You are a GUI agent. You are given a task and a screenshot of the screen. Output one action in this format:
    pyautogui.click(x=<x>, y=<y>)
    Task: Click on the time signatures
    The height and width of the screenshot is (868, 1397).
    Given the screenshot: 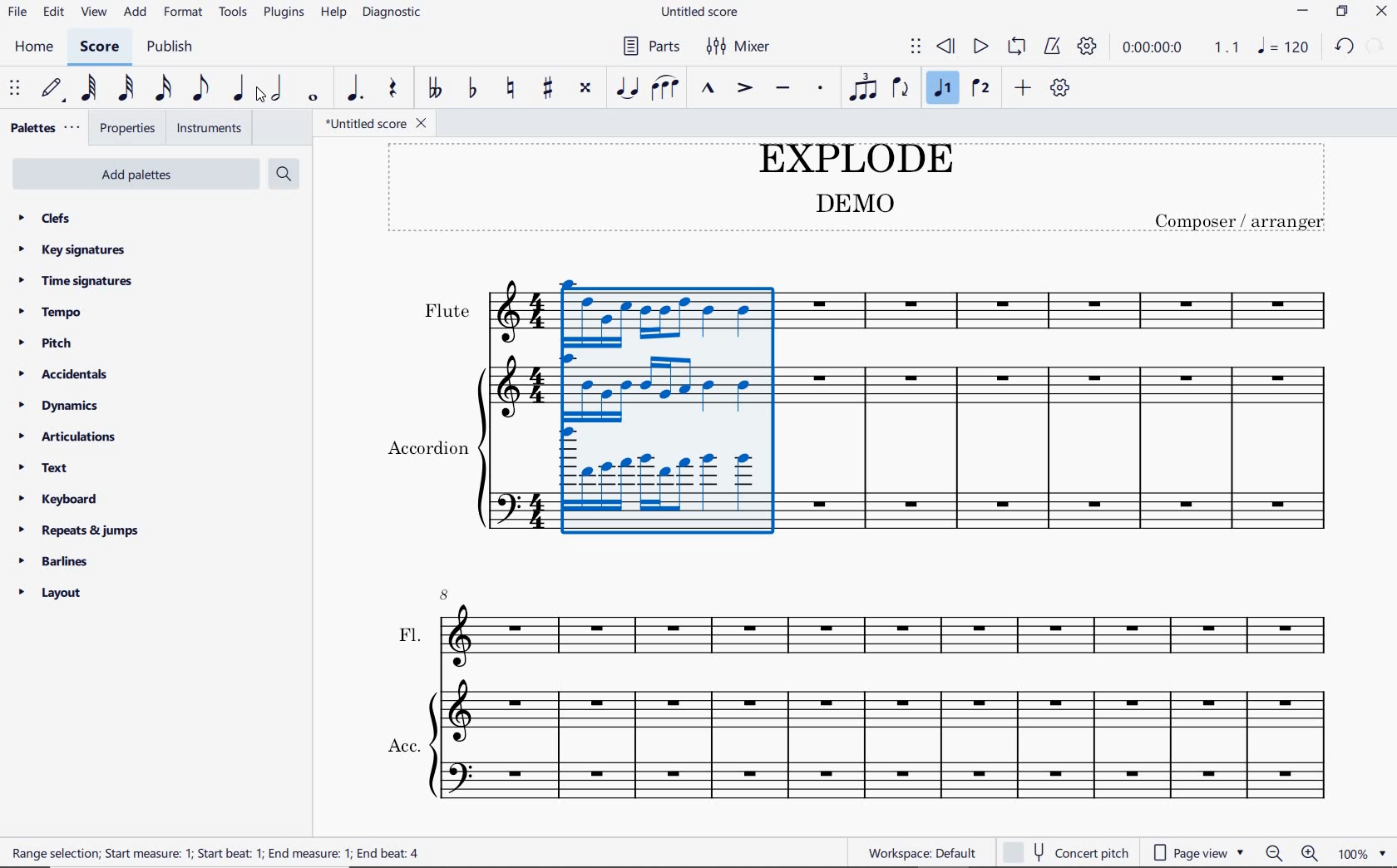 What is the action you would take?
    pyautogui.click(x=80, y=281)
    